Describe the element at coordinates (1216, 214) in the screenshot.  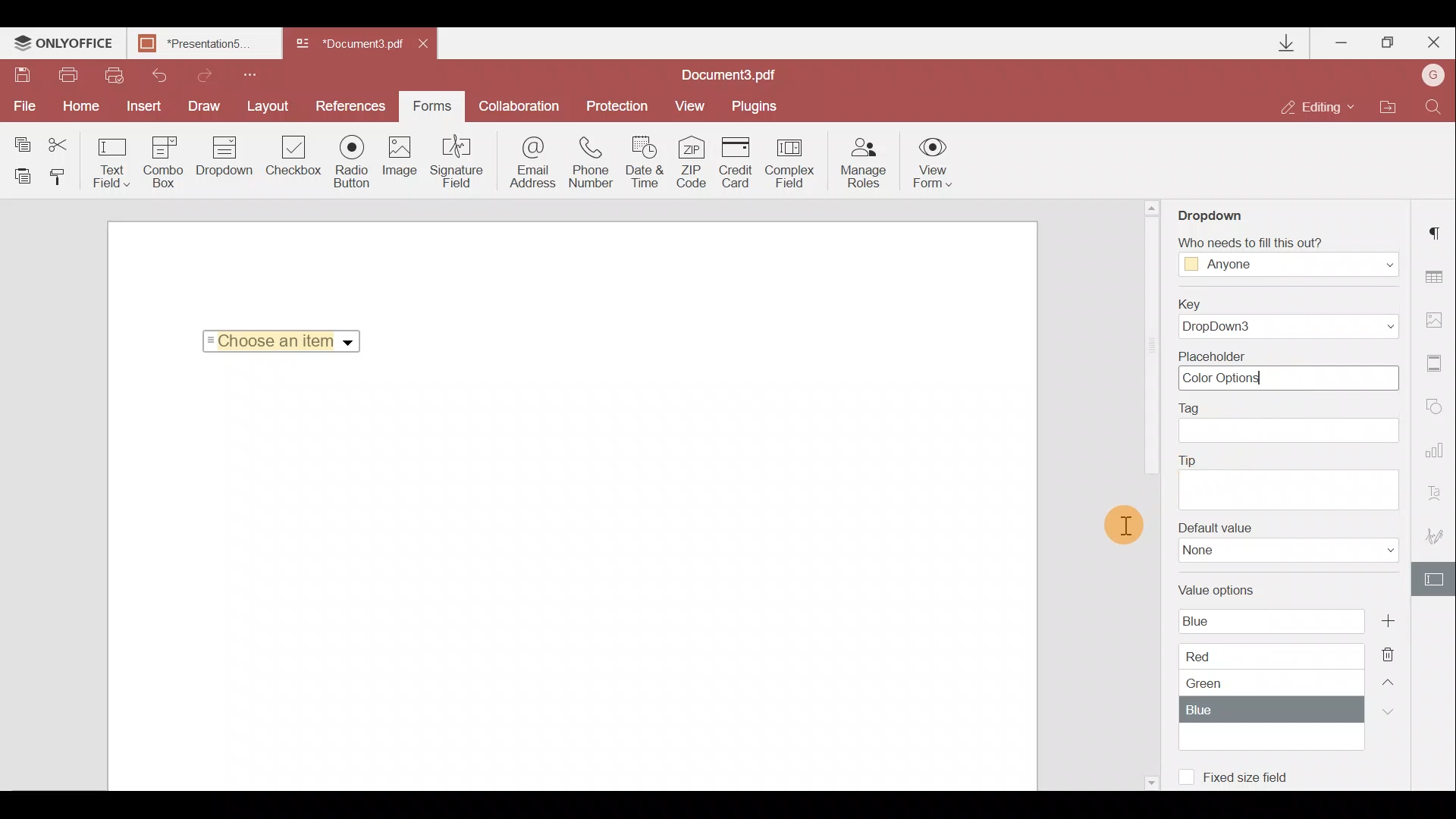
I see `Dropdown` at that location.